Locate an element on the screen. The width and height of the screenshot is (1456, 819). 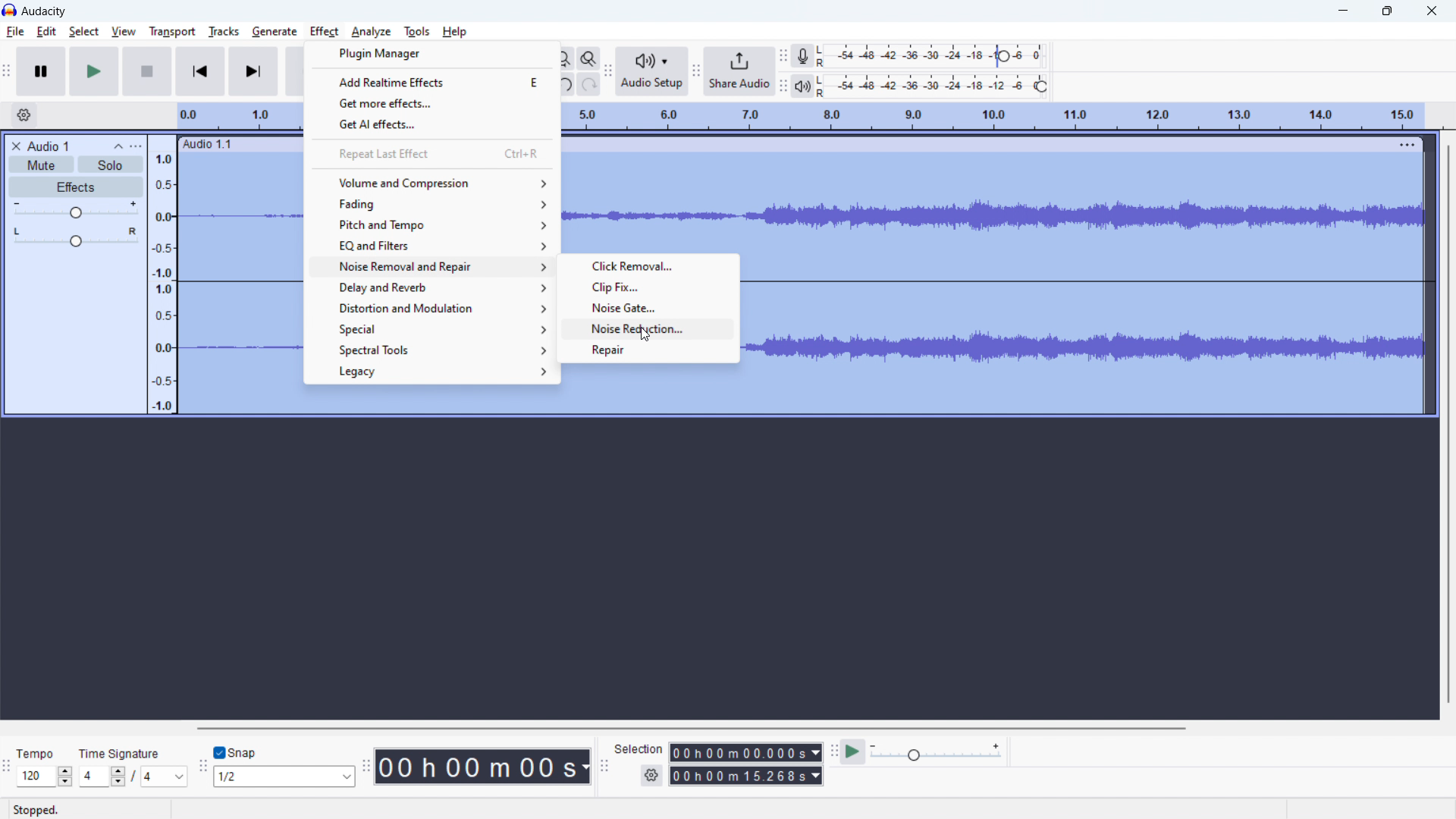
view is located at coordinates (123, 30).